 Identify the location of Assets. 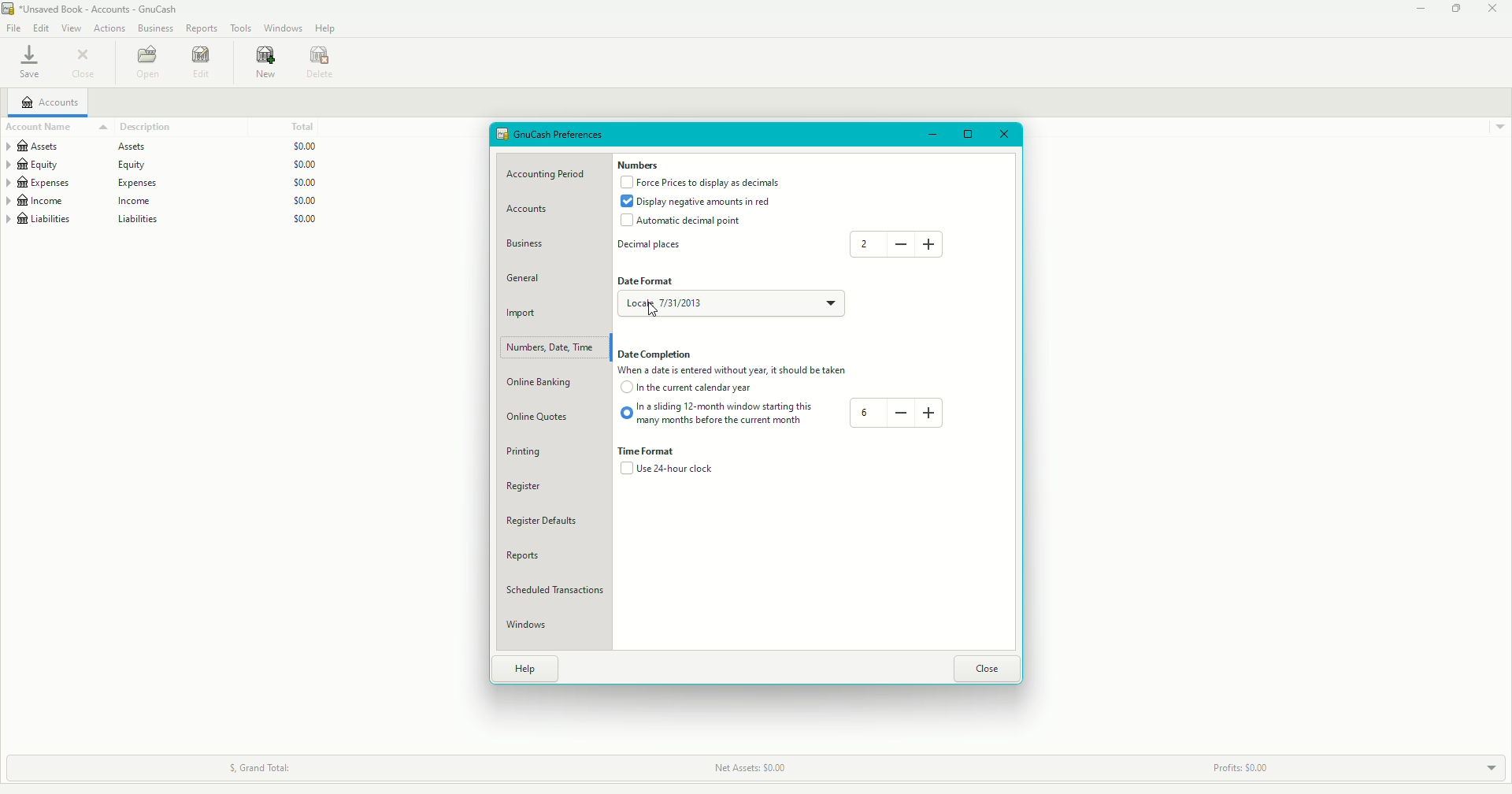
(165, 147).